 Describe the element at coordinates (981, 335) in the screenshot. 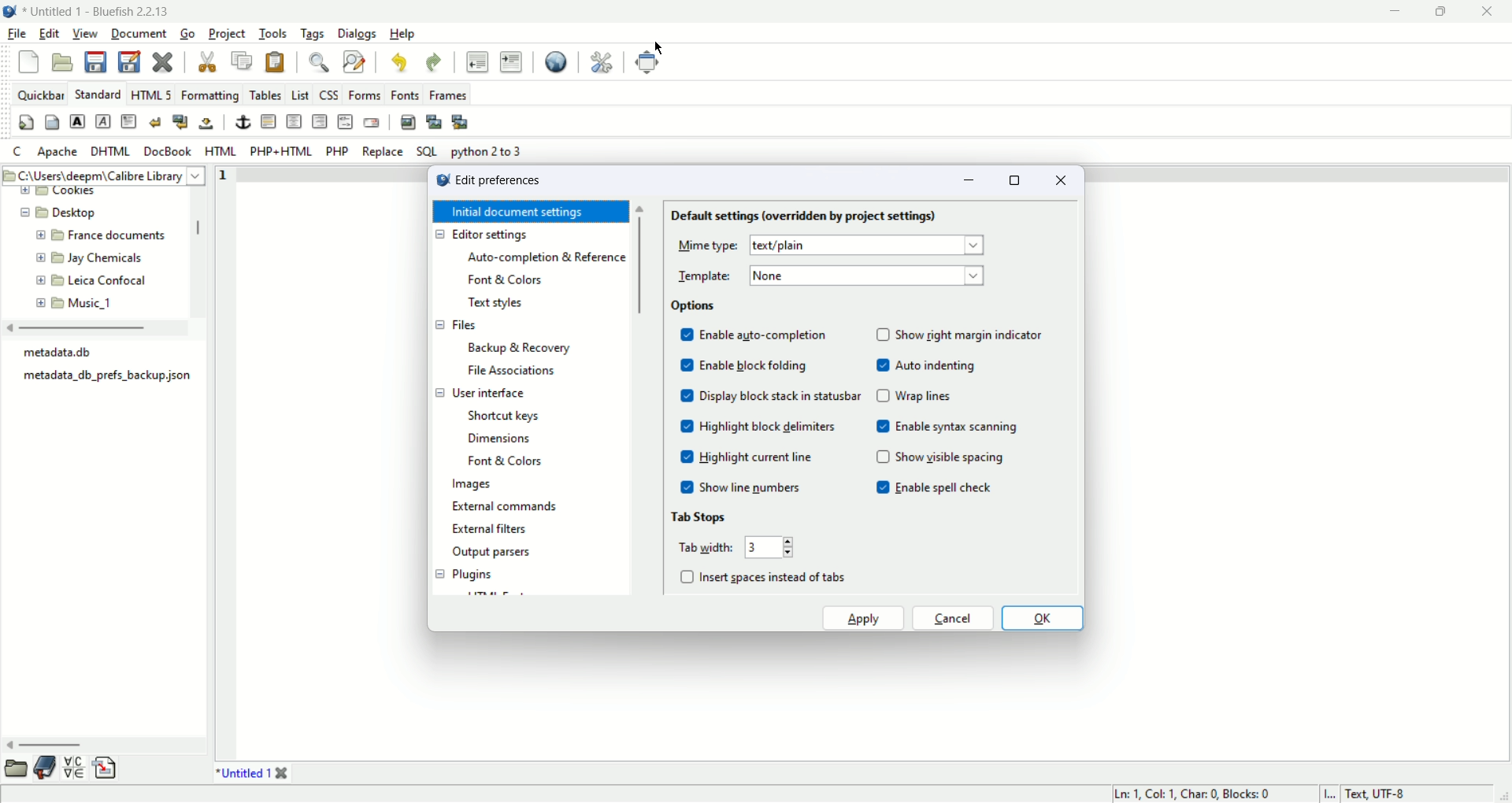

I see `show right margin indicator` at that location.